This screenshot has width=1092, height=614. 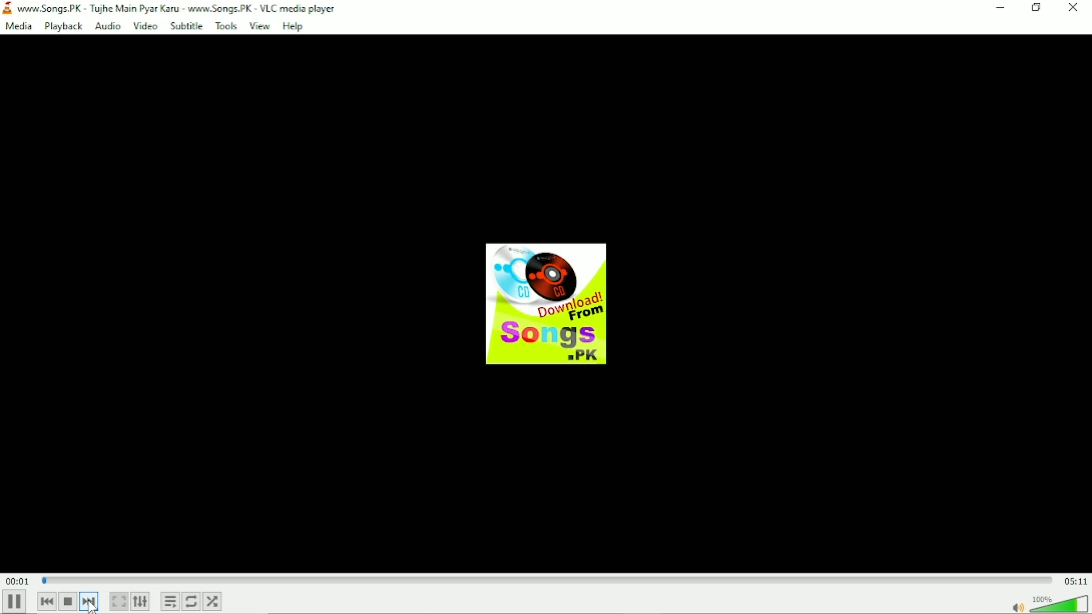 What do you see at coordinates (1075, 581) in the screenshot?
I see `Total duration` at bounding box center [1075, 581].